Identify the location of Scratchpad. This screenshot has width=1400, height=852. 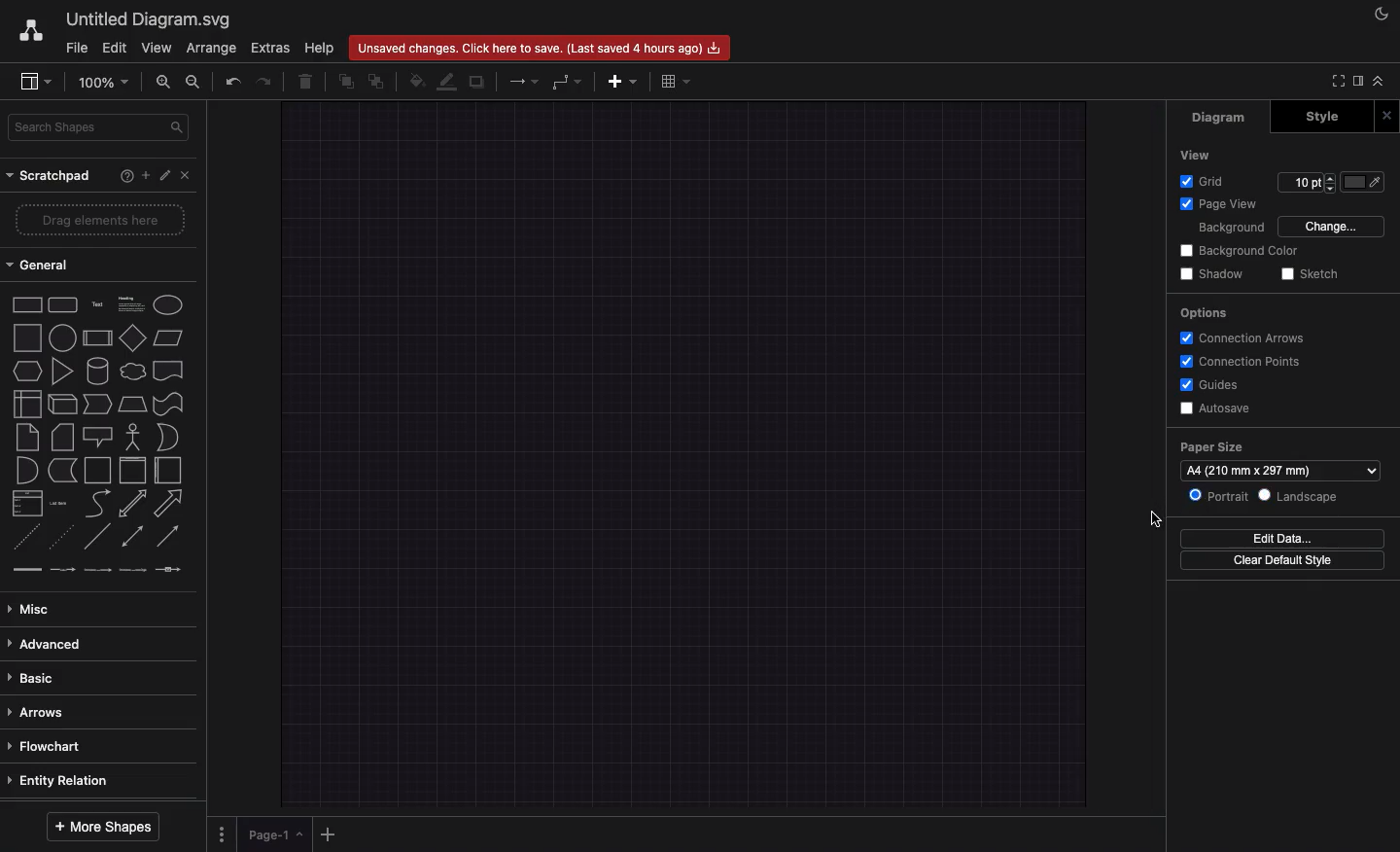
(49, 176).